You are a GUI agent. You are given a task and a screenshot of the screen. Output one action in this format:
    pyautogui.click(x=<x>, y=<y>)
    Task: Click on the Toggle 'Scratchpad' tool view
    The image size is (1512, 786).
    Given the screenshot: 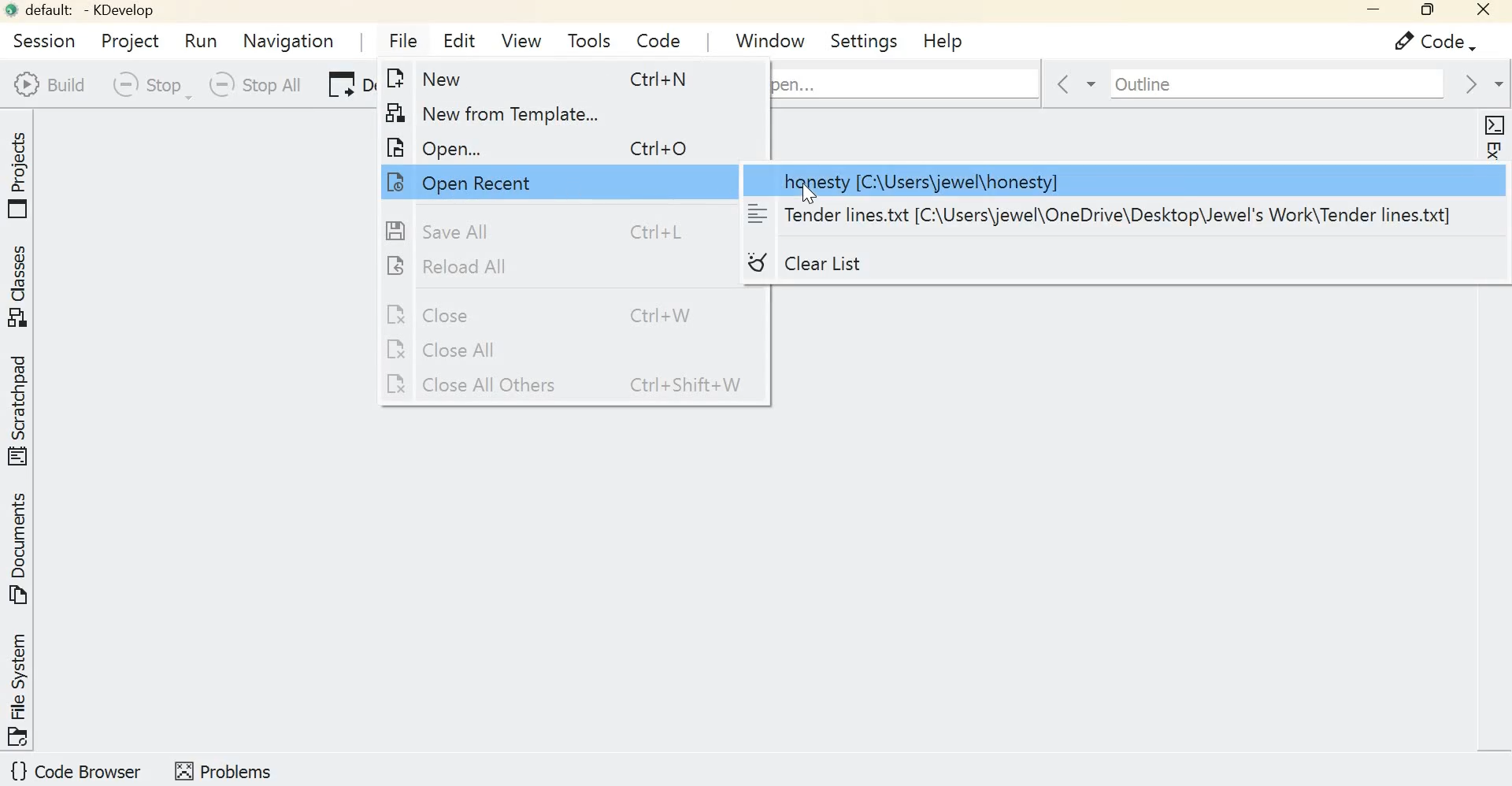 What is the action you would take?
    pyautogui.click(x=21, y=409)
    